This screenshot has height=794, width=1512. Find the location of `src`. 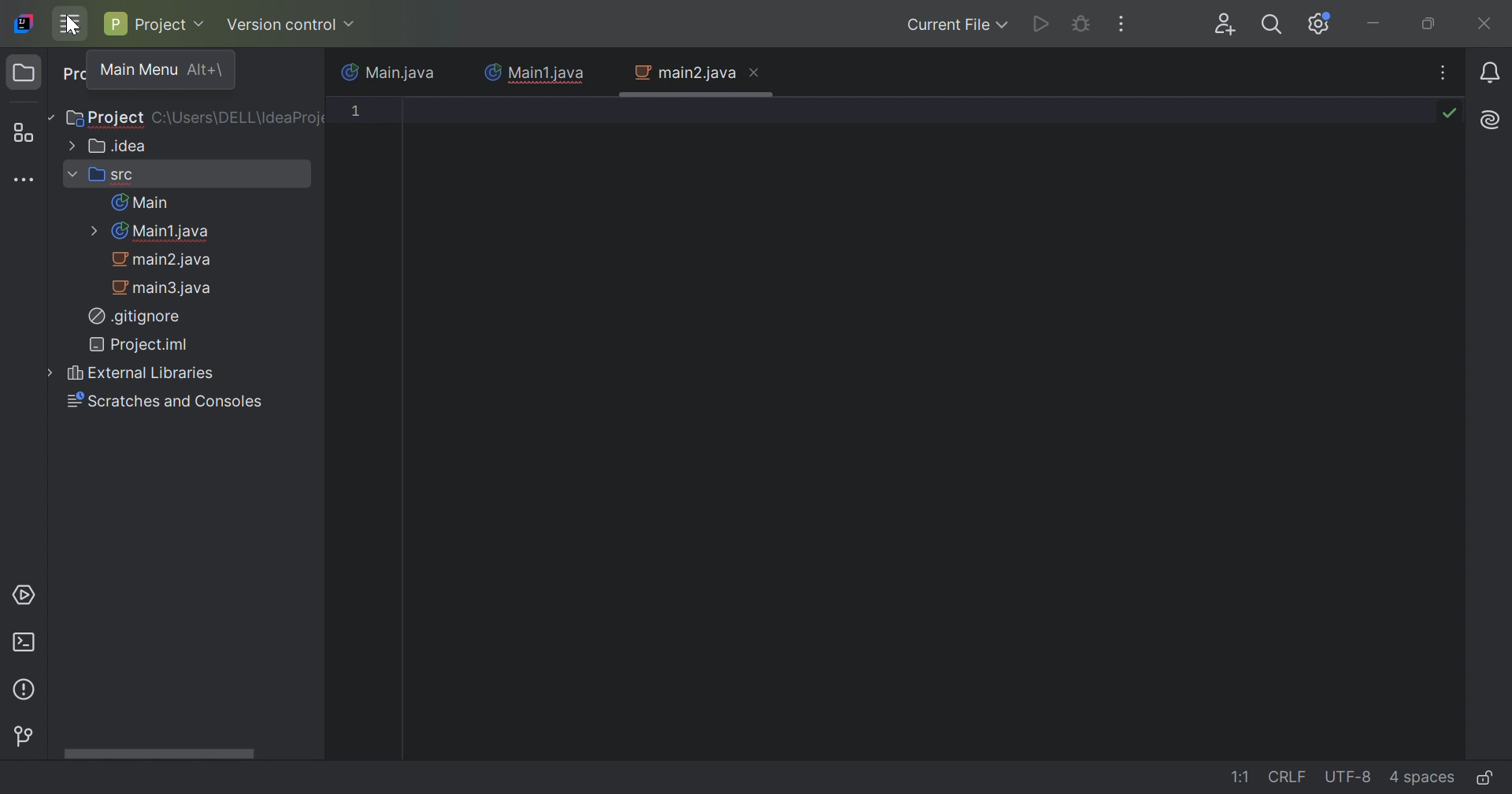

src is located at coordinates (99, 176).